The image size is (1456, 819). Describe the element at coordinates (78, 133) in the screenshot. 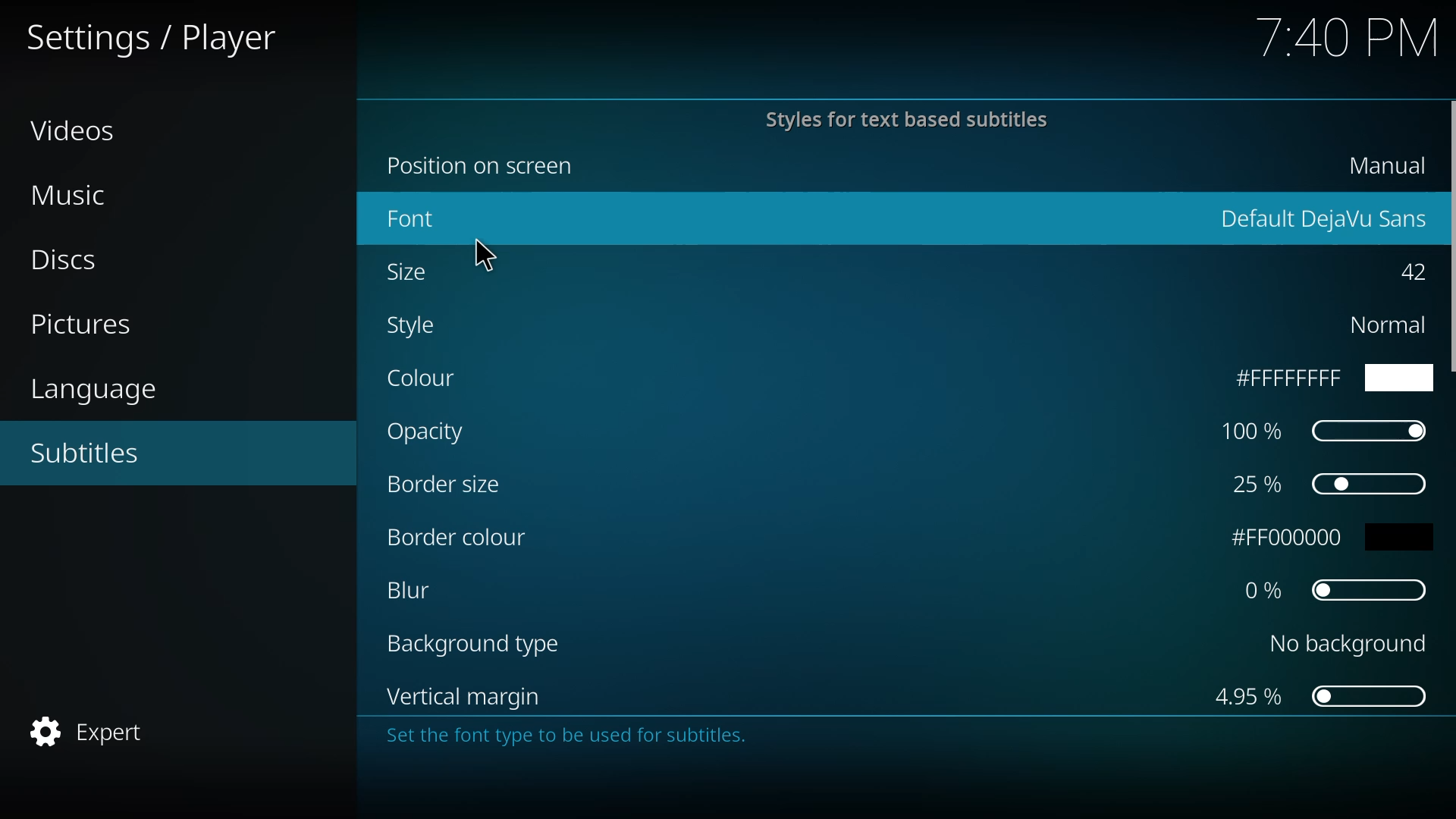

I see `videos` at that location.